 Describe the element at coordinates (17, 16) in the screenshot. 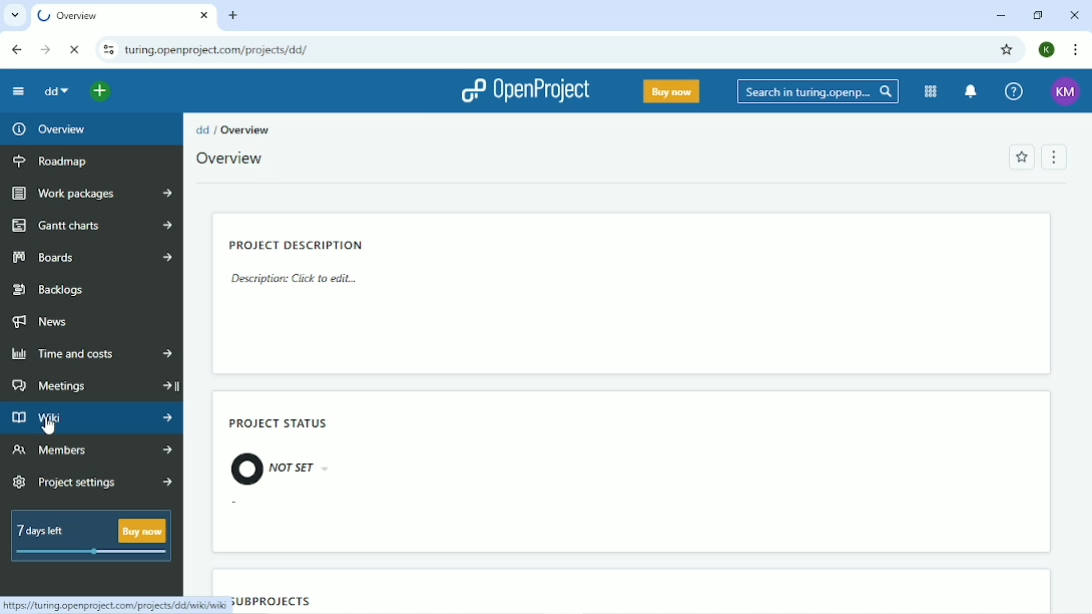

I see `Search tabs` at that location.